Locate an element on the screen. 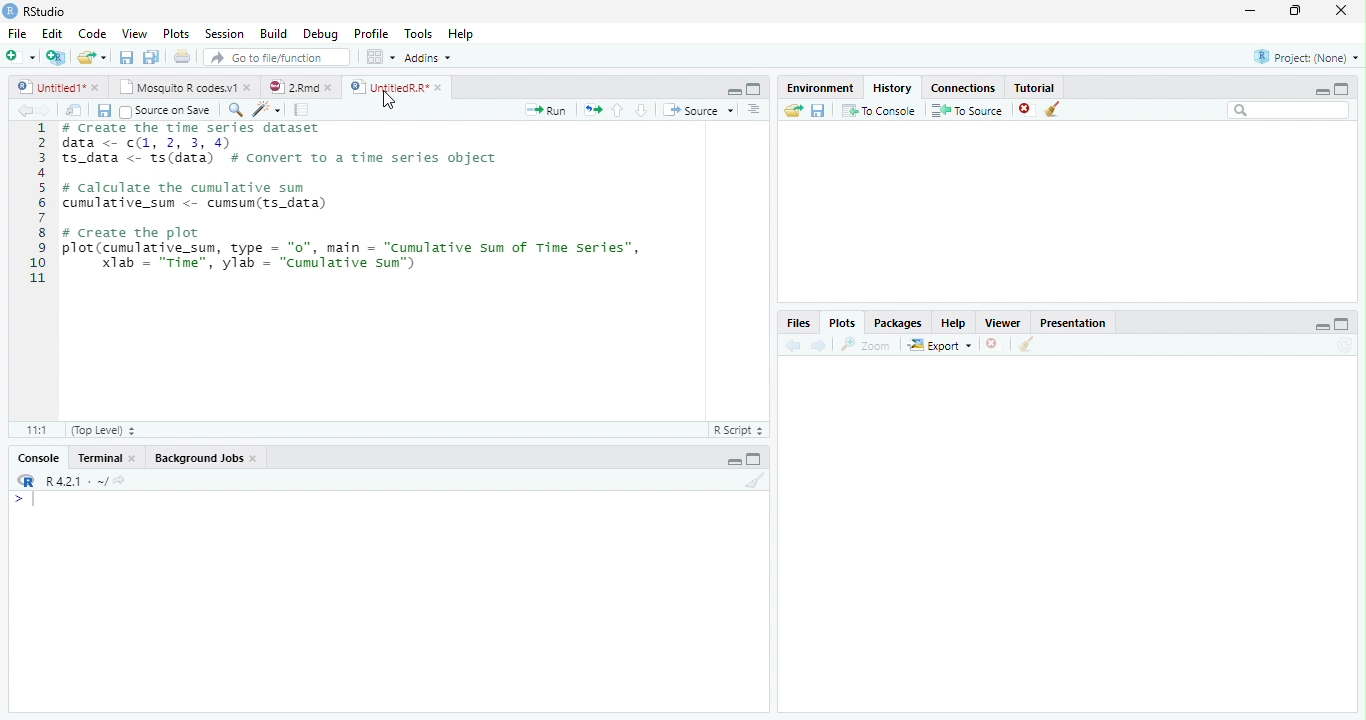  Save is located at coordinates (820, 111).